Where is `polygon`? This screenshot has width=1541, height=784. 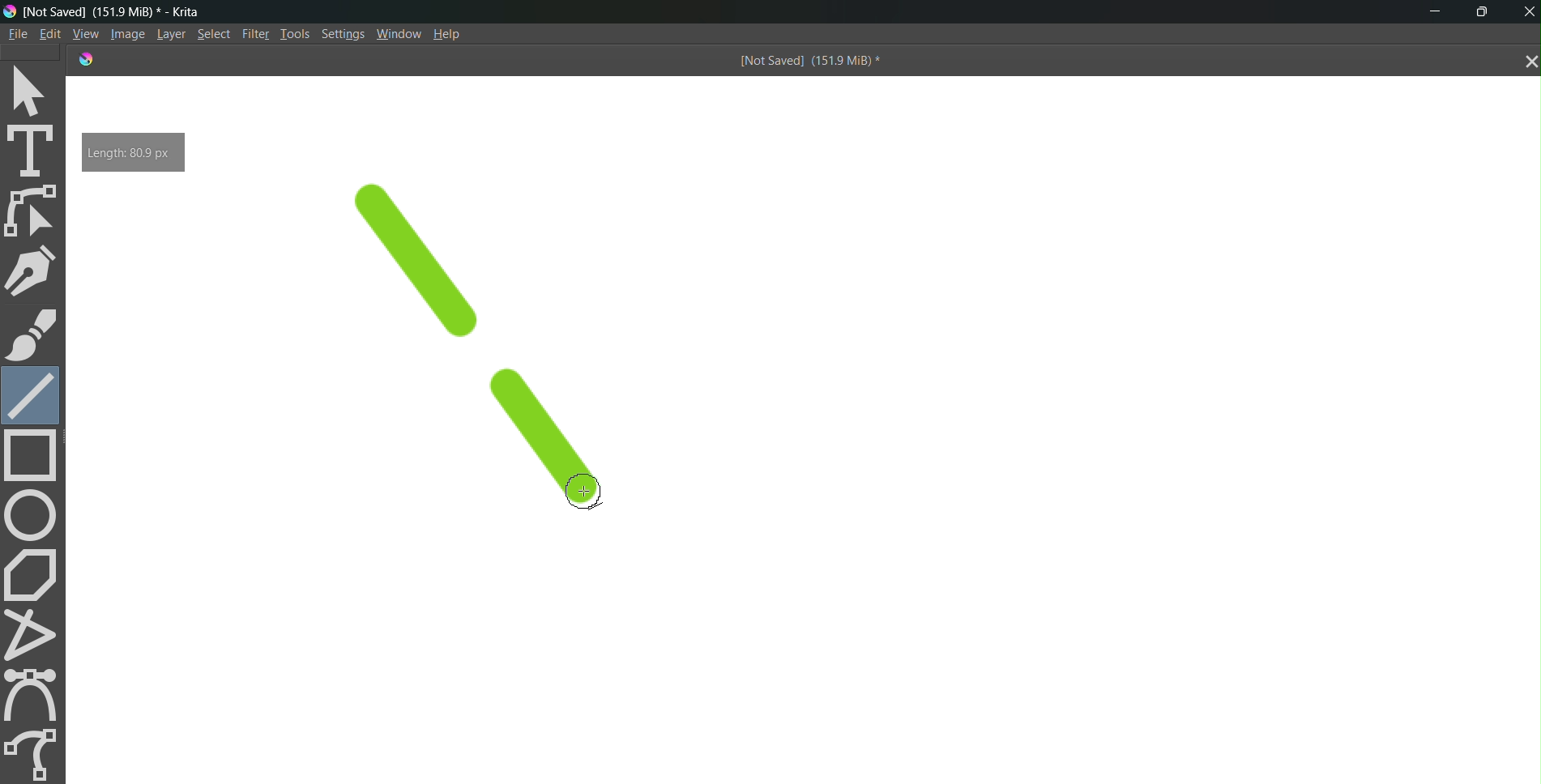 polygon is located at coordinates (34, 573).